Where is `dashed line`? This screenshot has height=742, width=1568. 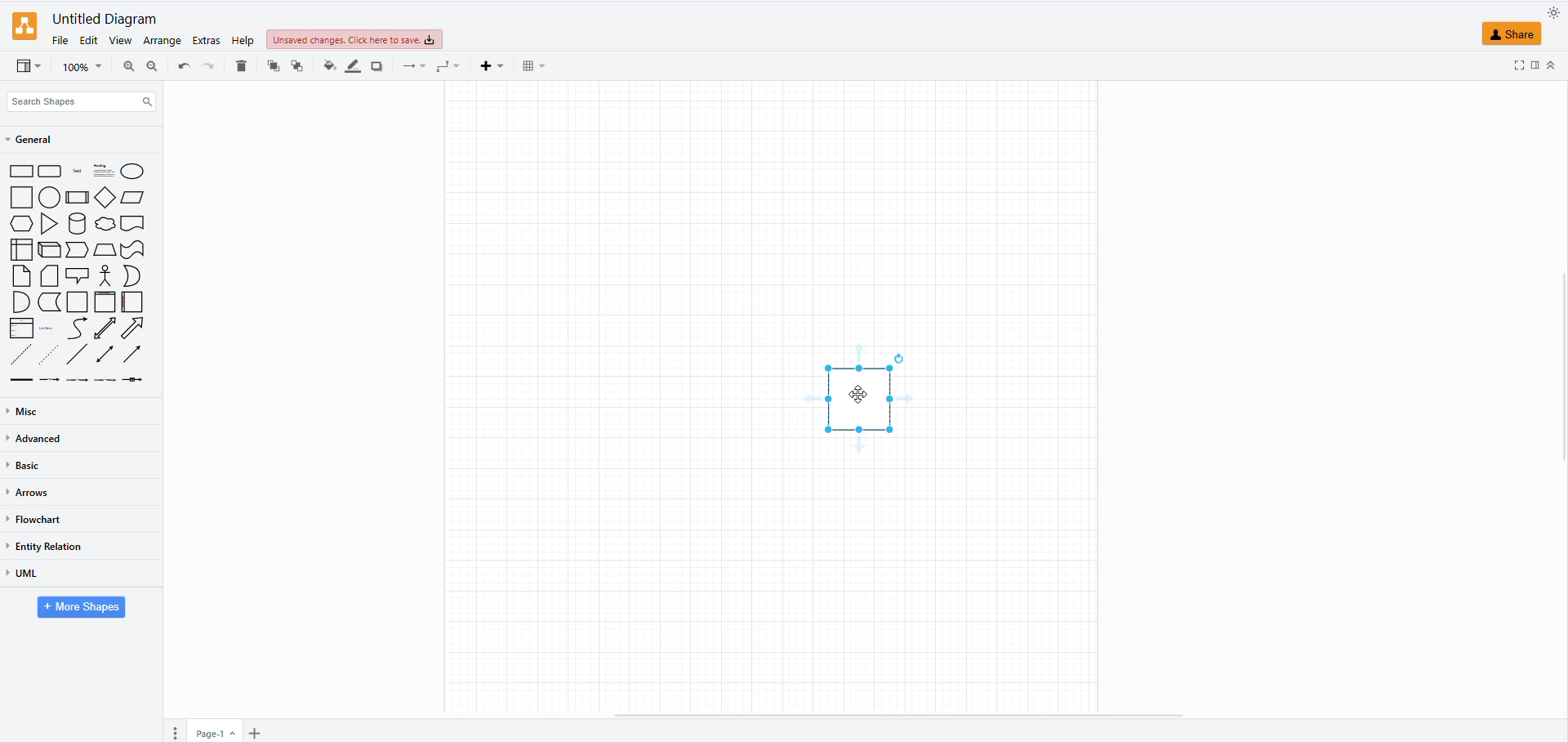 dashed line is located at coordinates (22, 354).